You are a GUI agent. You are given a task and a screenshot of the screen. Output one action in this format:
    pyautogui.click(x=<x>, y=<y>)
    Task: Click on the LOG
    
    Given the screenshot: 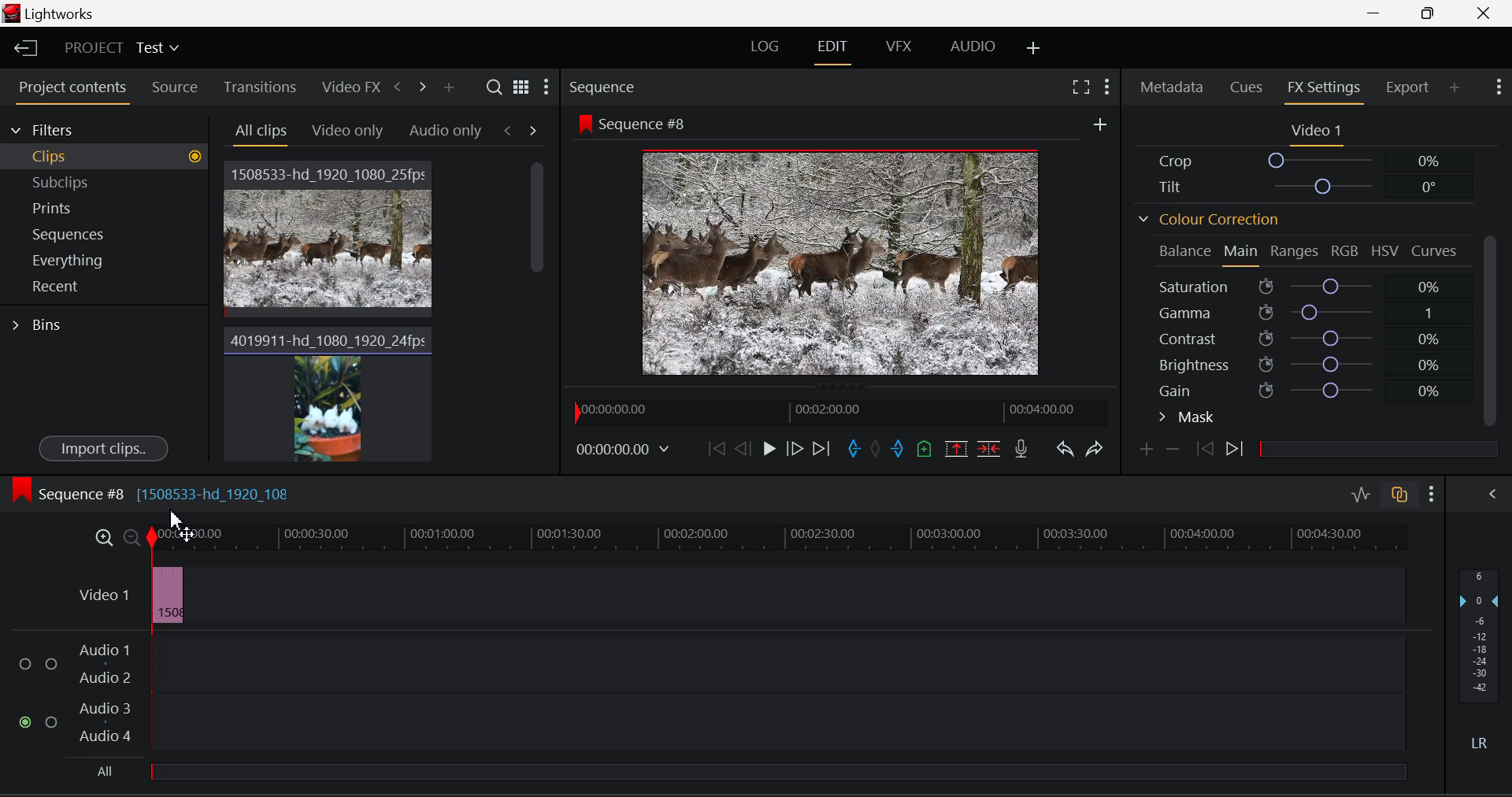 What is the action you would take?
    pyautogui.click(x=767, y=46)
    